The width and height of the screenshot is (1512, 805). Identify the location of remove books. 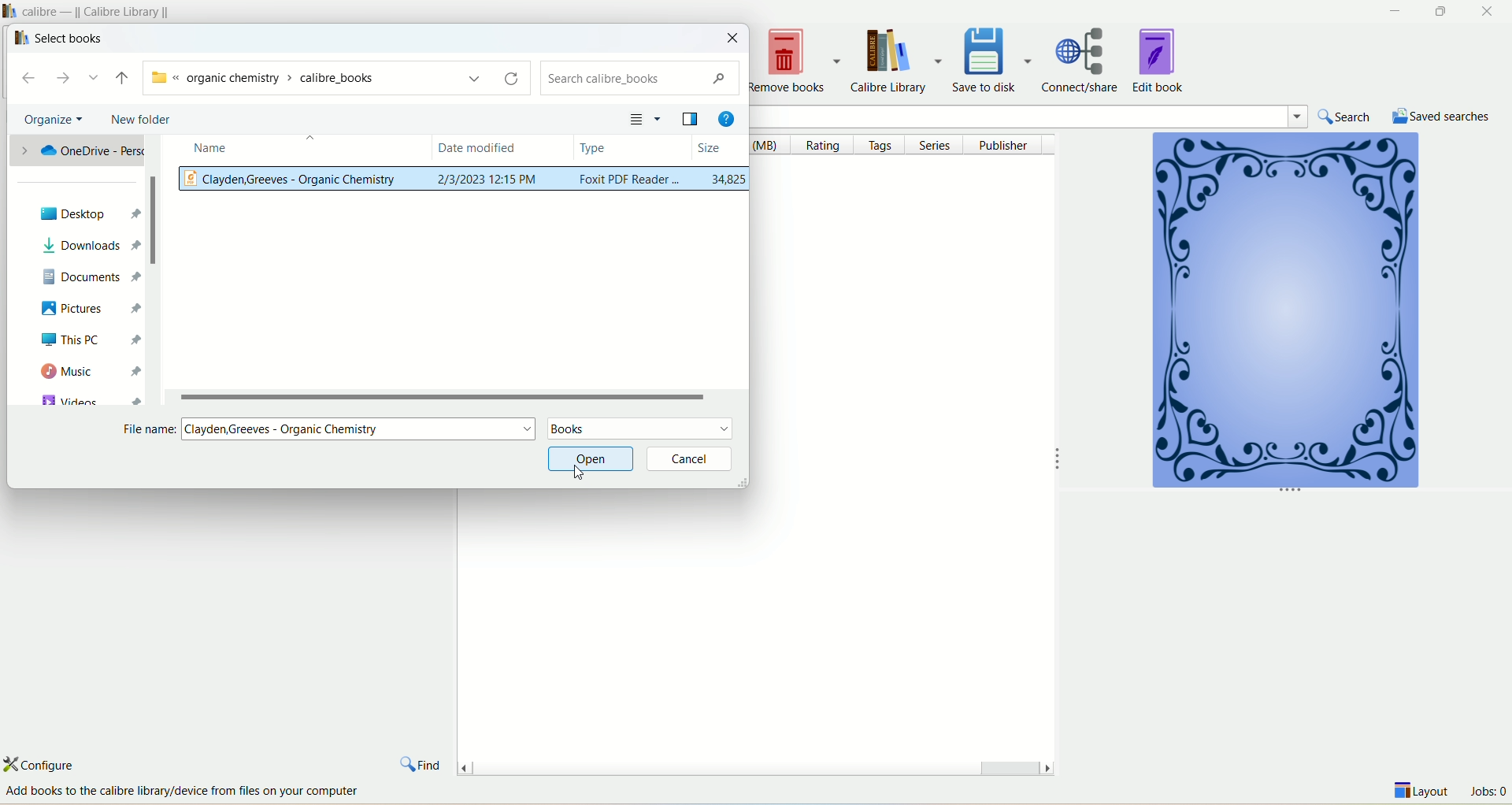
(796, 61).